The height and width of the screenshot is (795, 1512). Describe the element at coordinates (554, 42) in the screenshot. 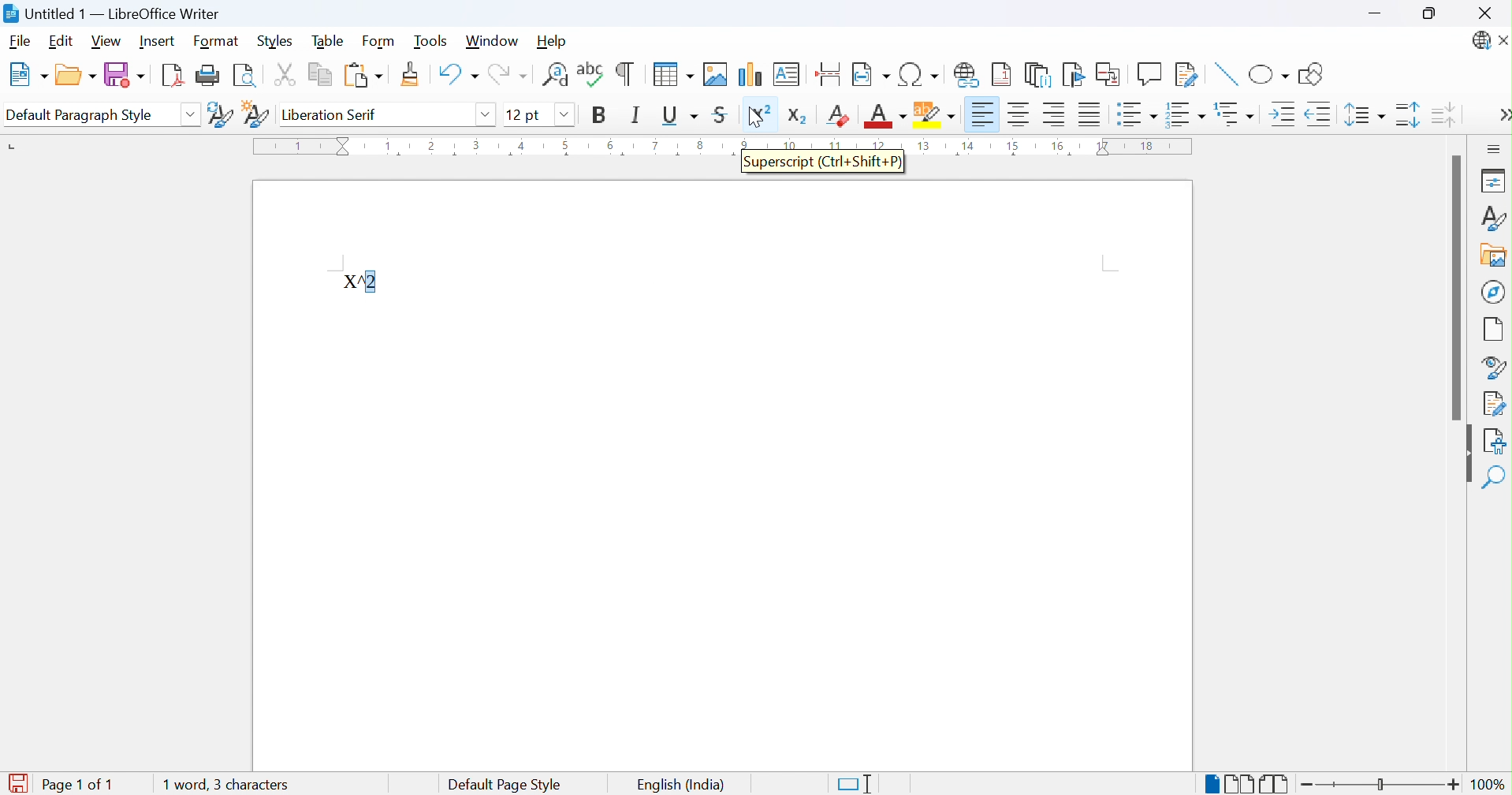

I see `Help` at that location.